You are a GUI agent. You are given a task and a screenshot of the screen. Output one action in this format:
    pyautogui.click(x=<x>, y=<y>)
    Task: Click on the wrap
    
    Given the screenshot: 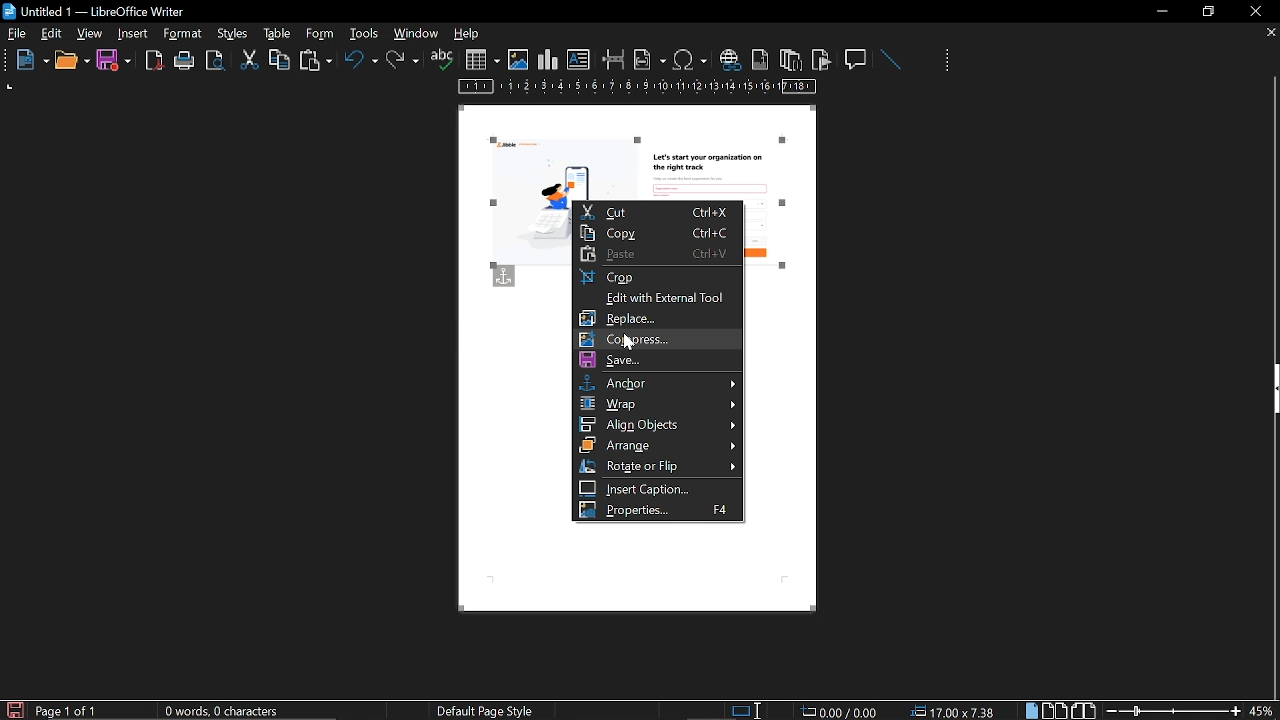 What is the action you would take?
    pyautogui.click(x=660, y=404)
    